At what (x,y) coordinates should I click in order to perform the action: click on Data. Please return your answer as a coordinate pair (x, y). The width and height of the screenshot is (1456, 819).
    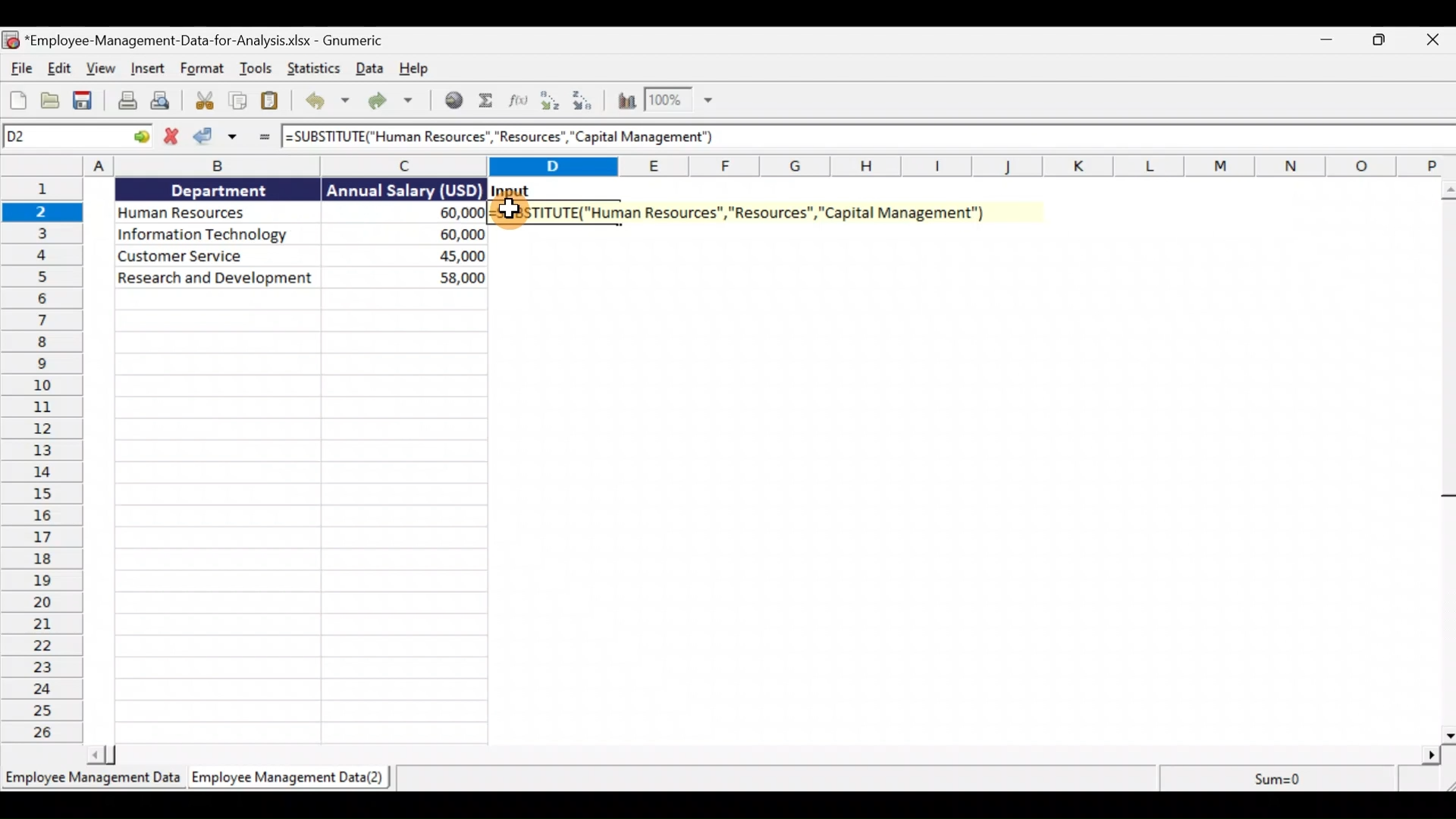
    Looking at the image, I should click on (295, 233).